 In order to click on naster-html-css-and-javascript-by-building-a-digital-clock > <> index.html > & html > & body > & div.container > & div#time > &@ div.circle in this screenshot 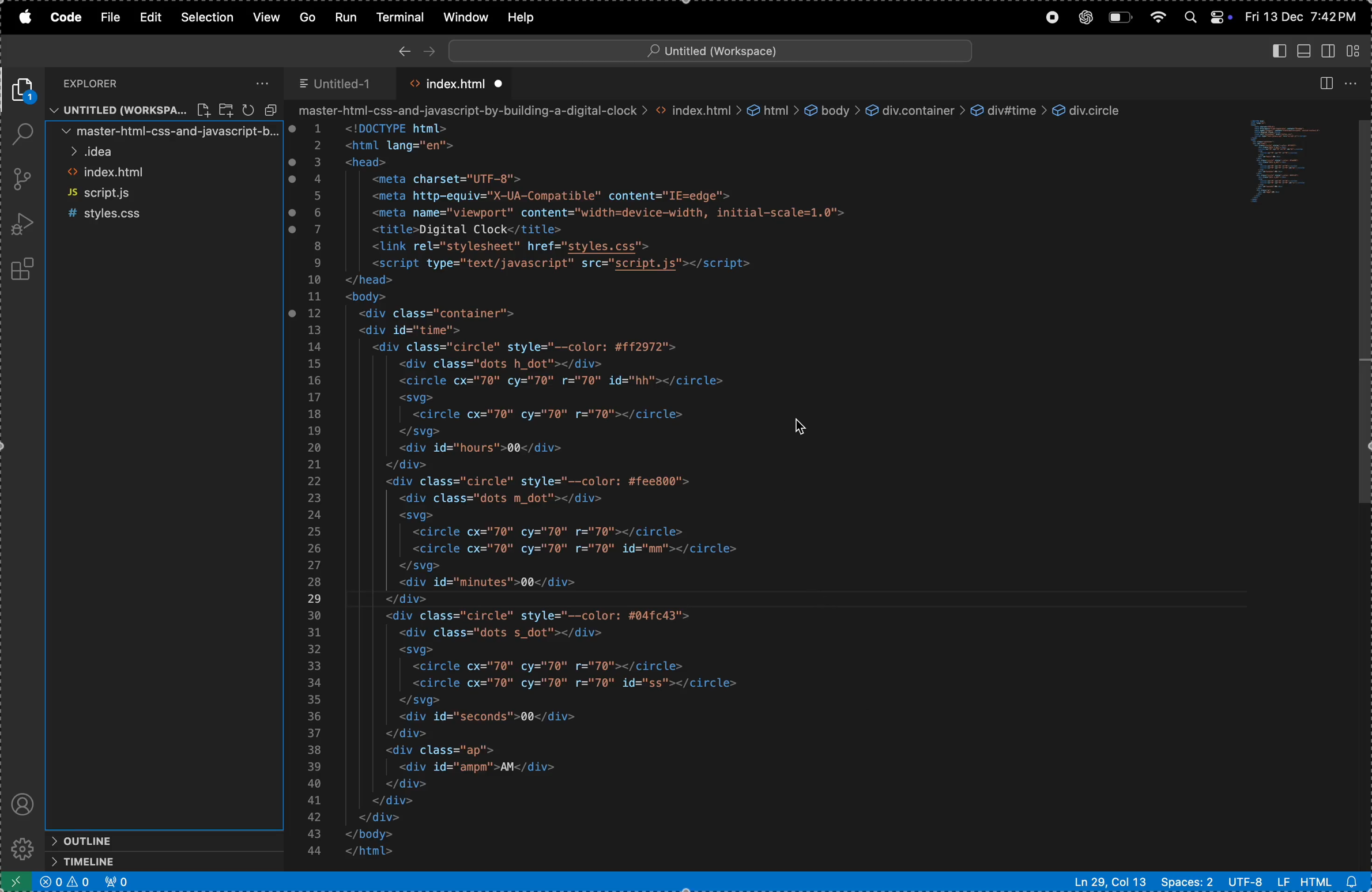, I will do `click(709, 111)`.